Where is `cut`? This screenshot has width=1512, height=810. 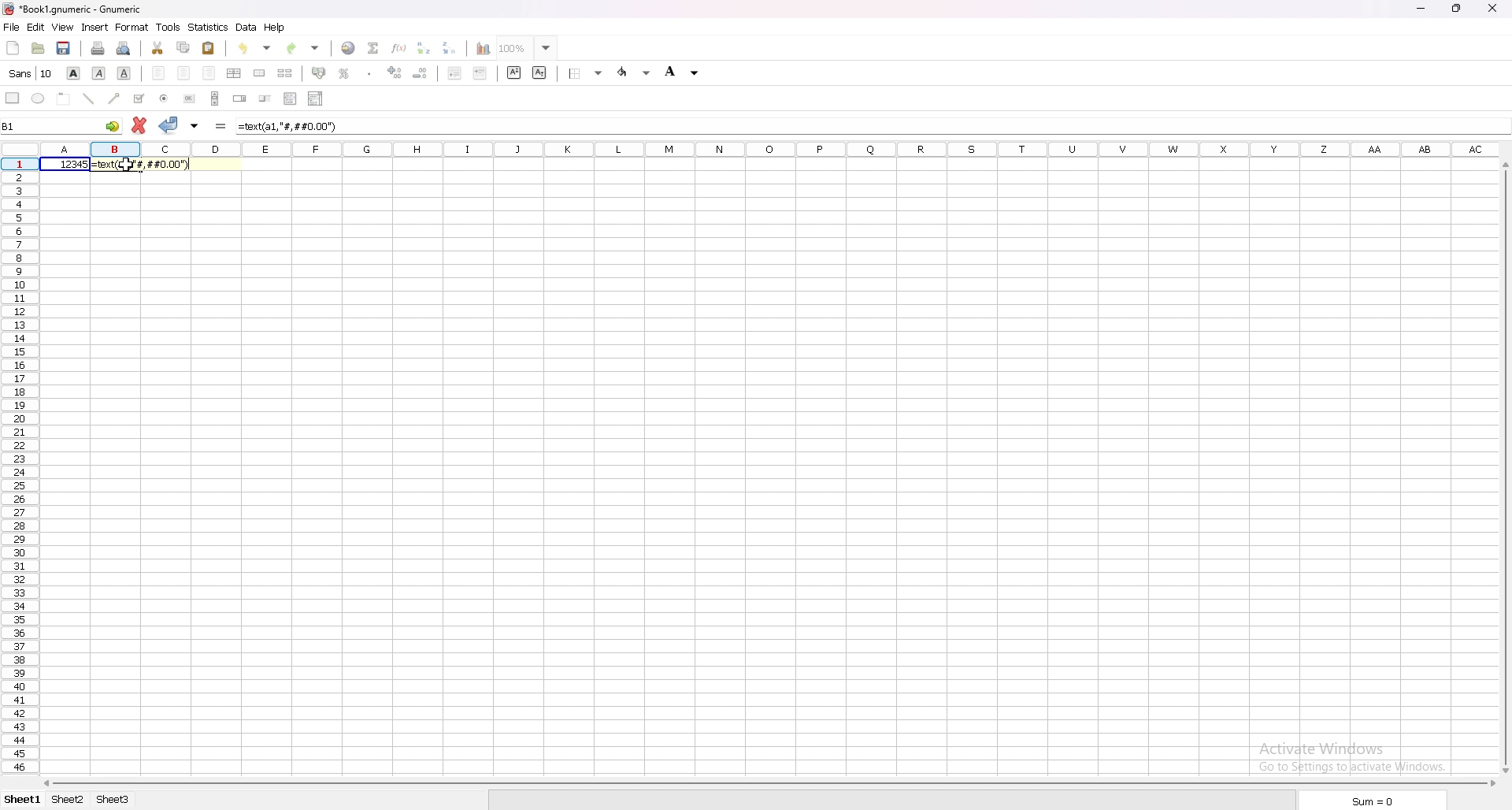 cut is located at coordinates (159, 48).